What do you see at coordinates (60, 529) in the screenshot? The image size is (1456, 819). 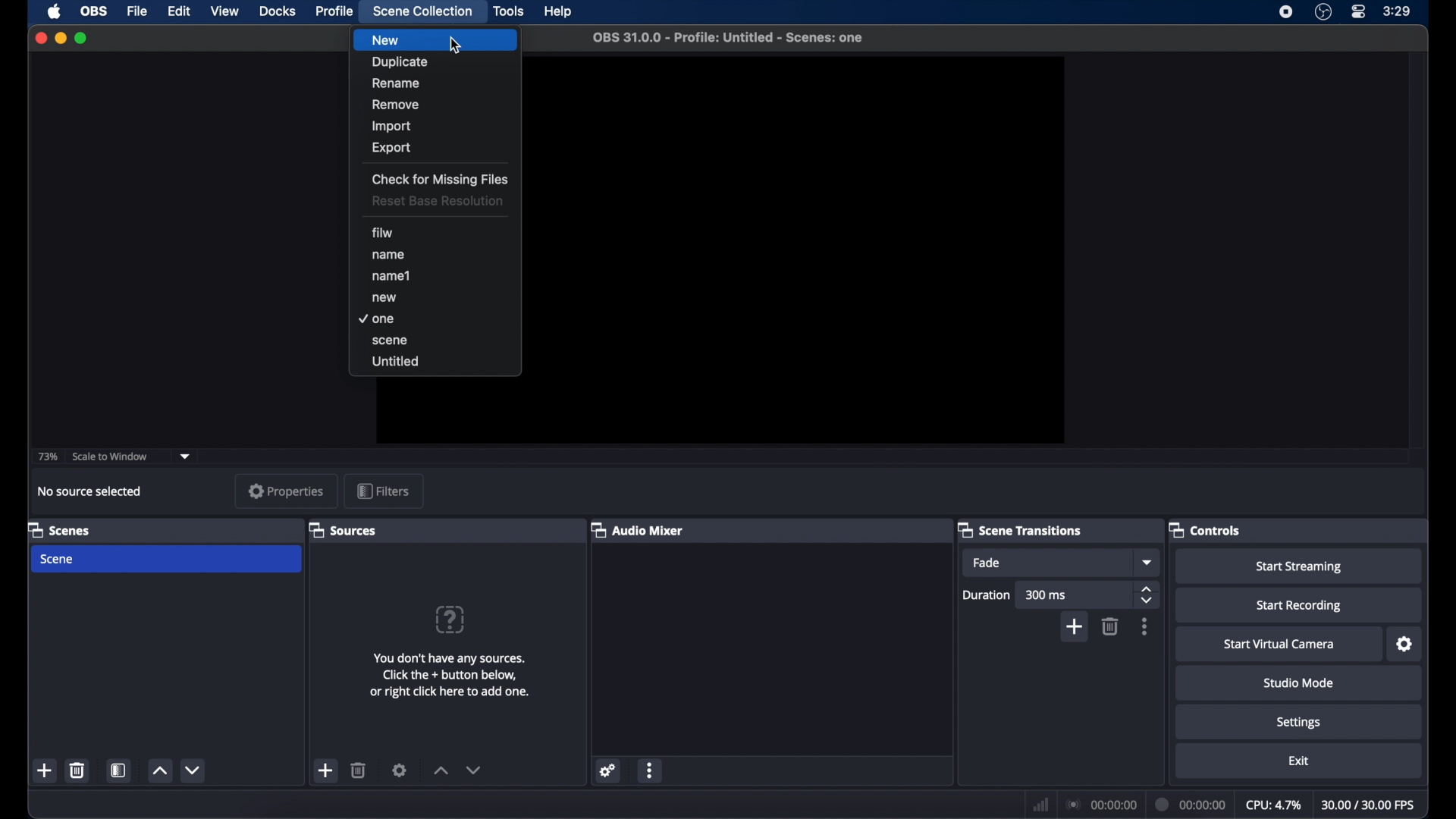 I see `scenes` at bounding box center [60, 529].